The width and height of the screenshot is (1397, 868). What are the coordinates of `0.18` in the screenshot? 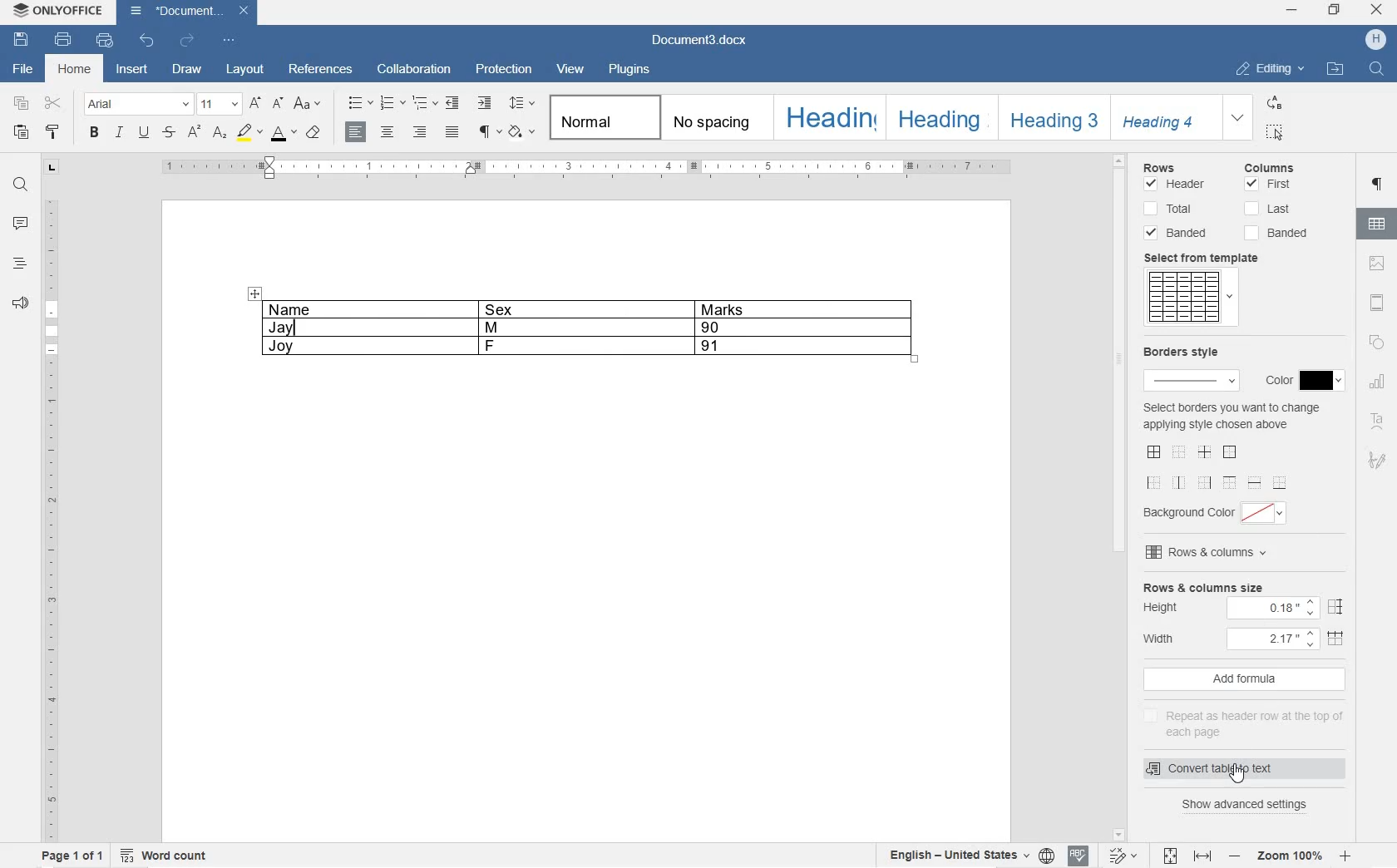 It's located at (1272, 610).